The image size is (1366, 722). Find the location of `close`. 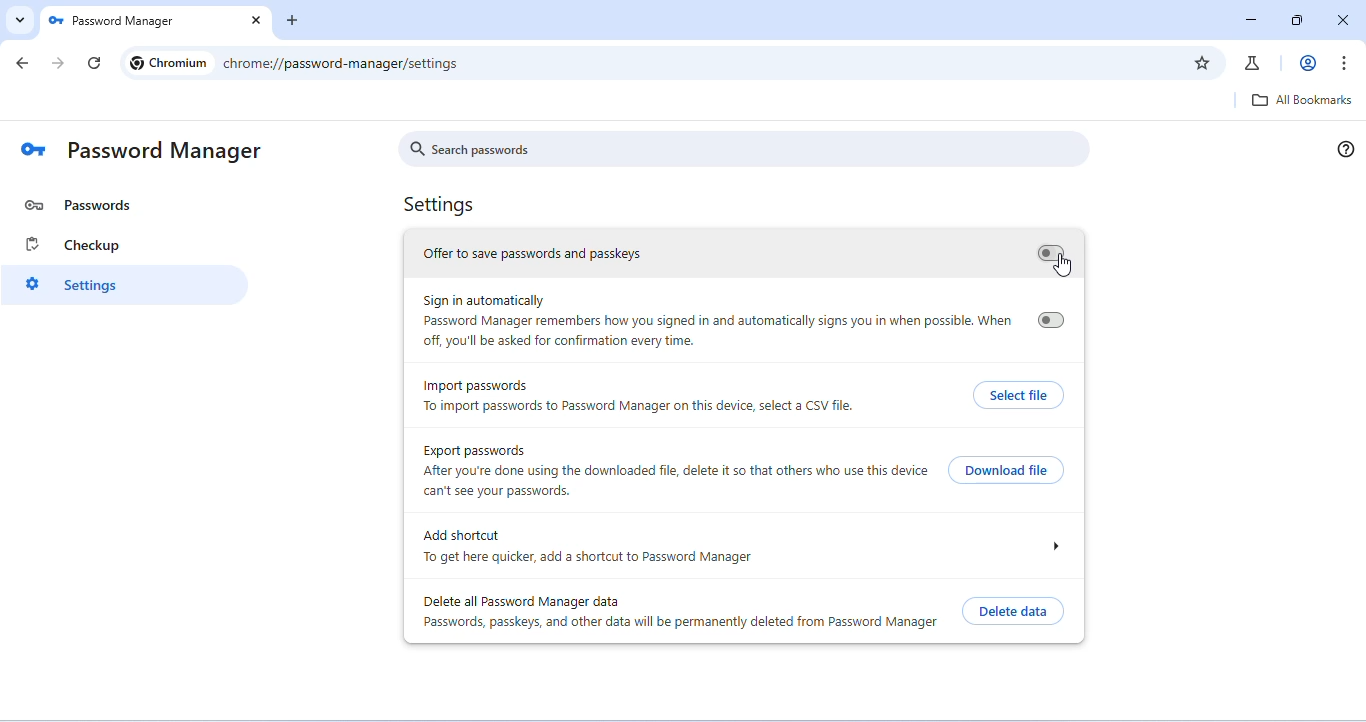

close is located at coordinates (1346, 21).